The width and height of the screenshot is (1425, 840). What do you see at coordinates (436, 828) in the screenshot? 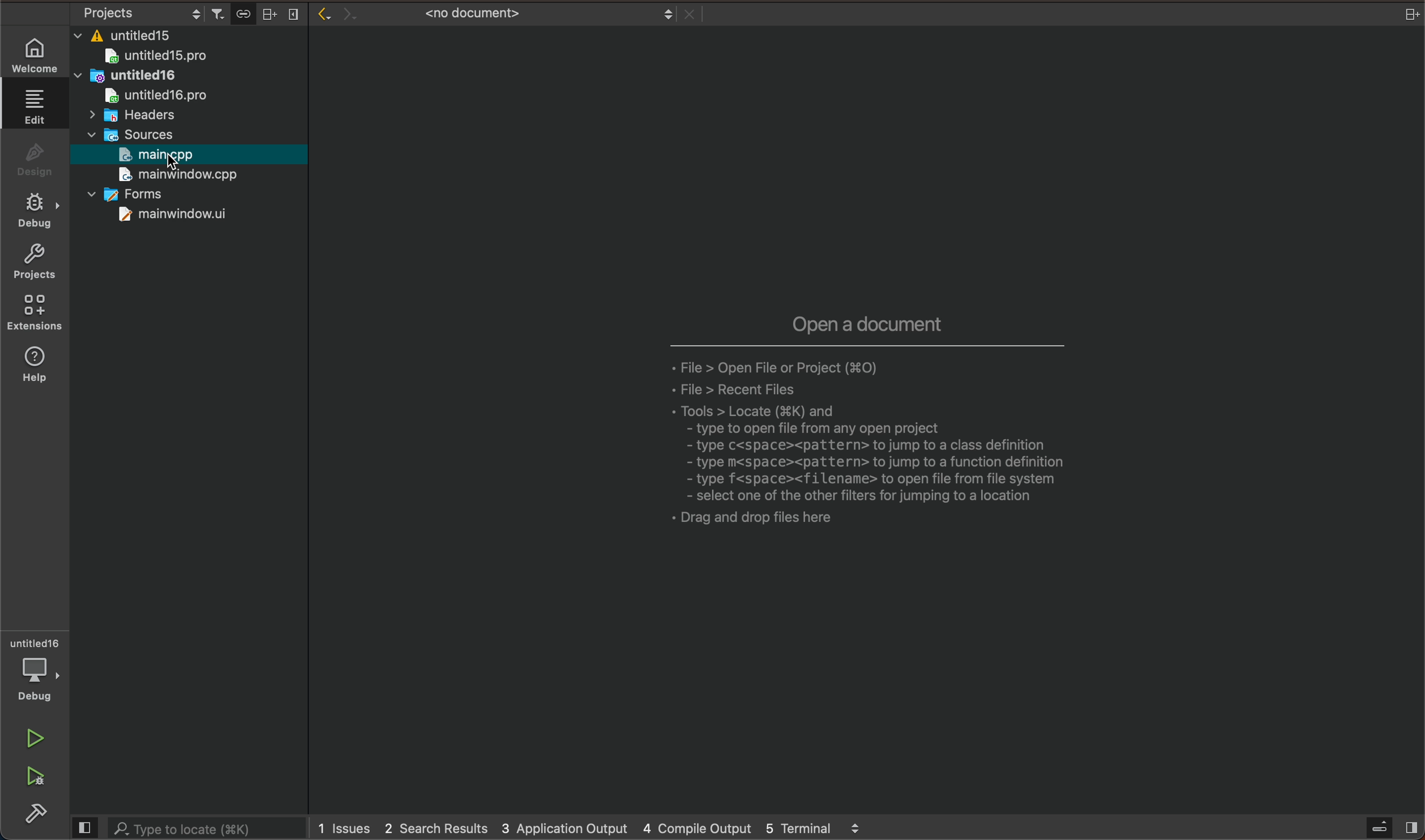
I see `2 search results` at bounding box center [436, 828].